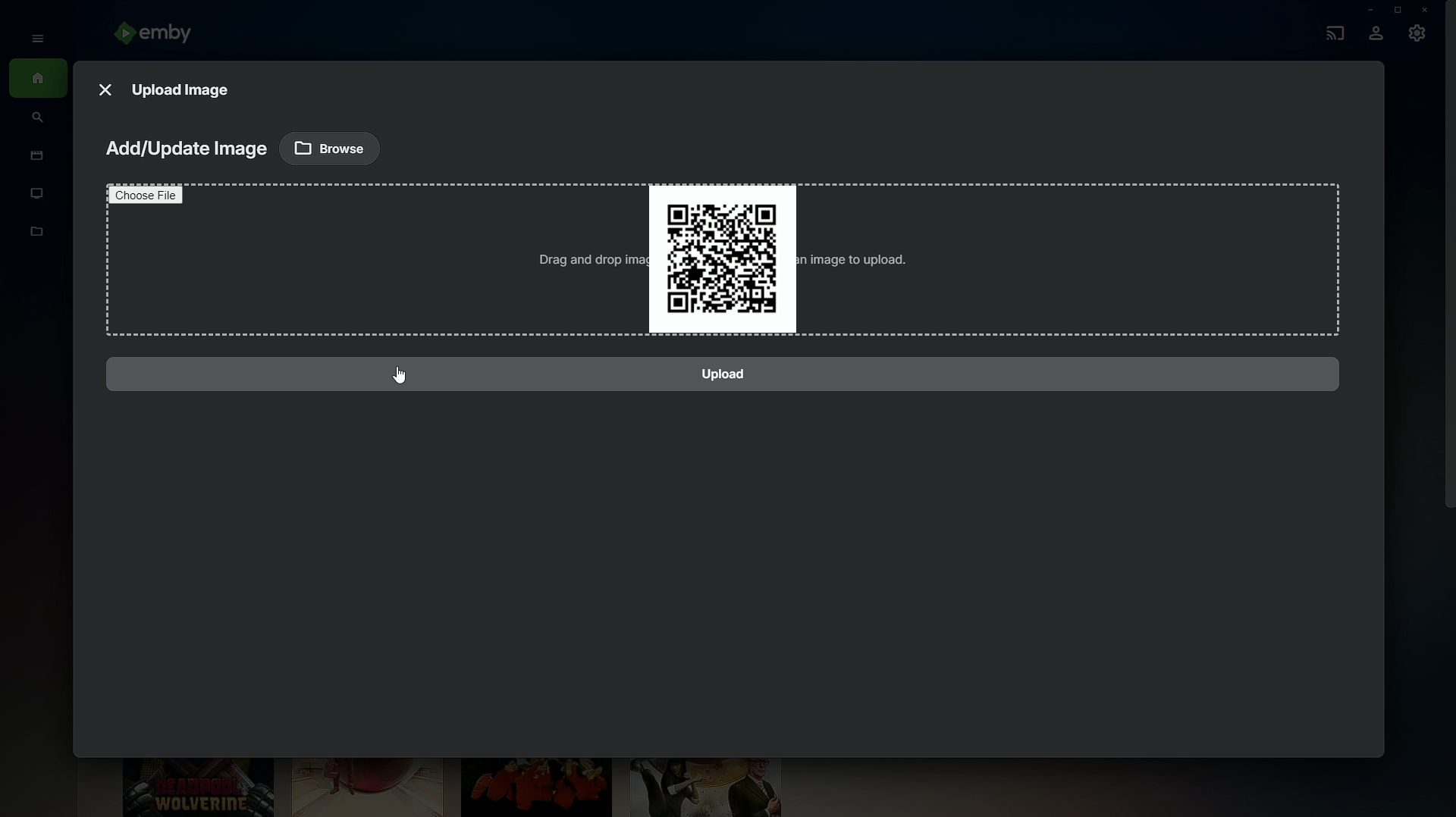 This screenshot has height=817, width=1456. I want to click on , so click(730, 374).